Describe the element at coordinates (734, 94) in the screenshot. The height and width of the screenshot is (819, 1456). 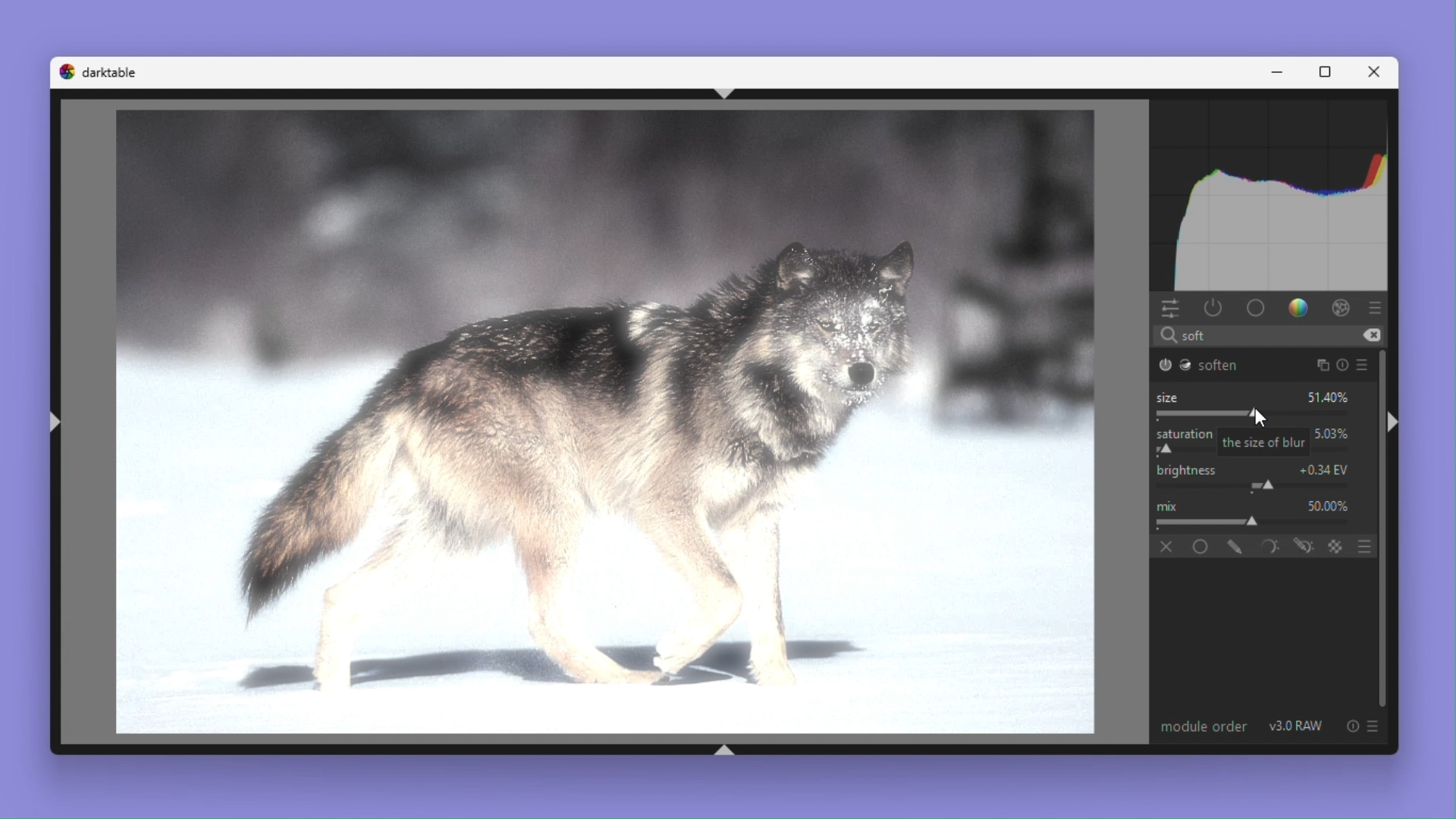
I see `shift+ctrl+t` at that location.